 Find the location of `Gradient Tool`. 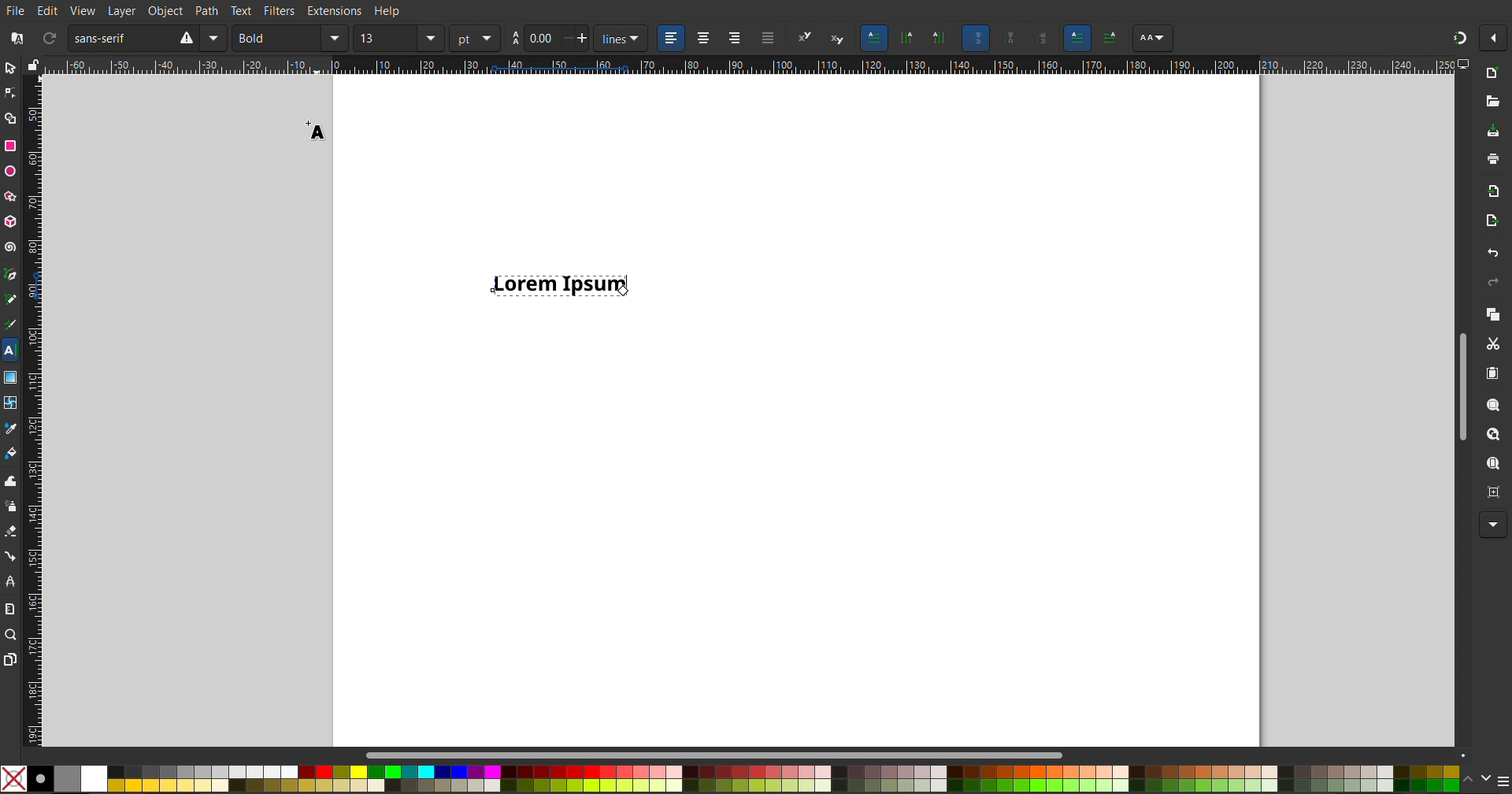

Gradient Tool is located at coordinates (11, 374).